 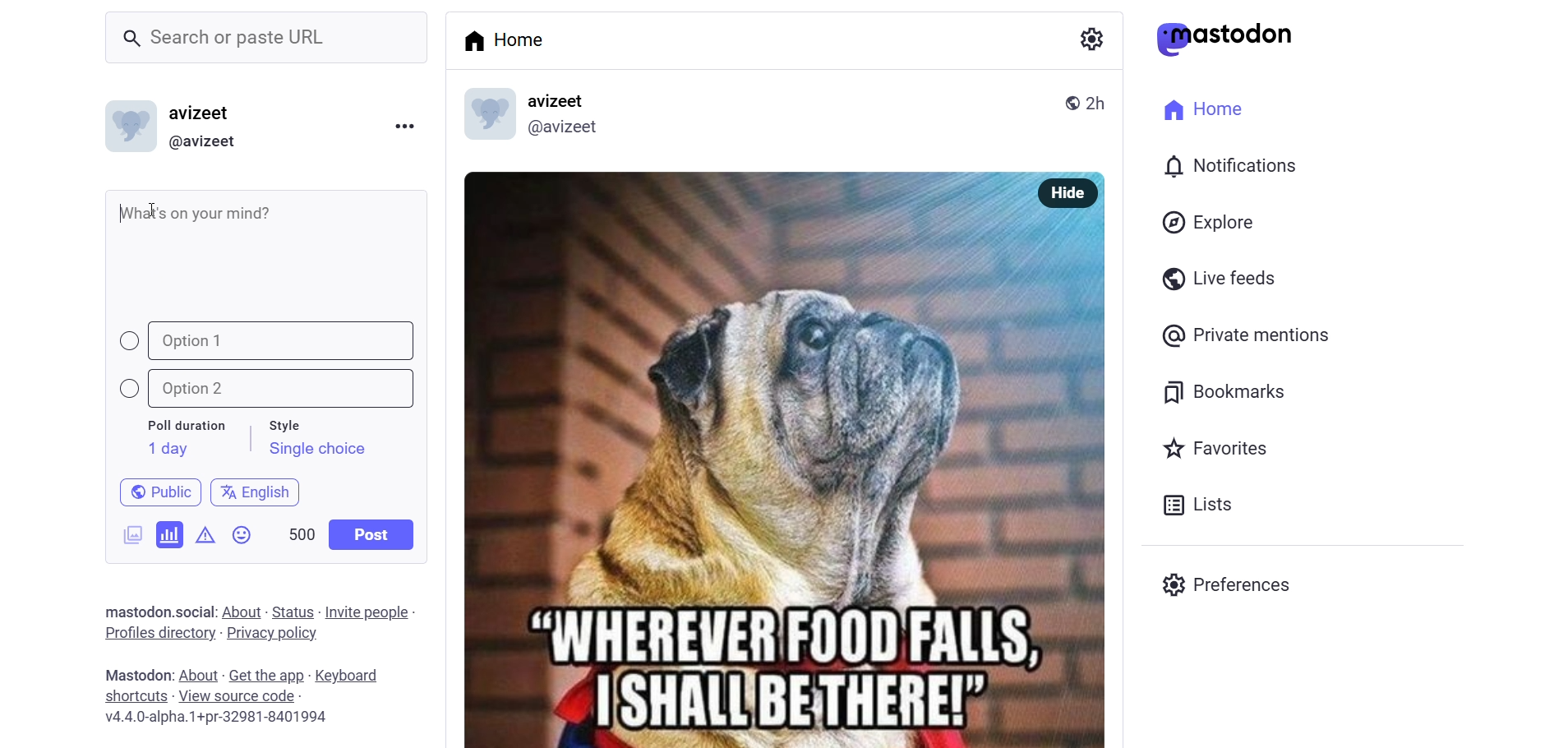 I want to click on shortcuts, so click(x=135, y=696).